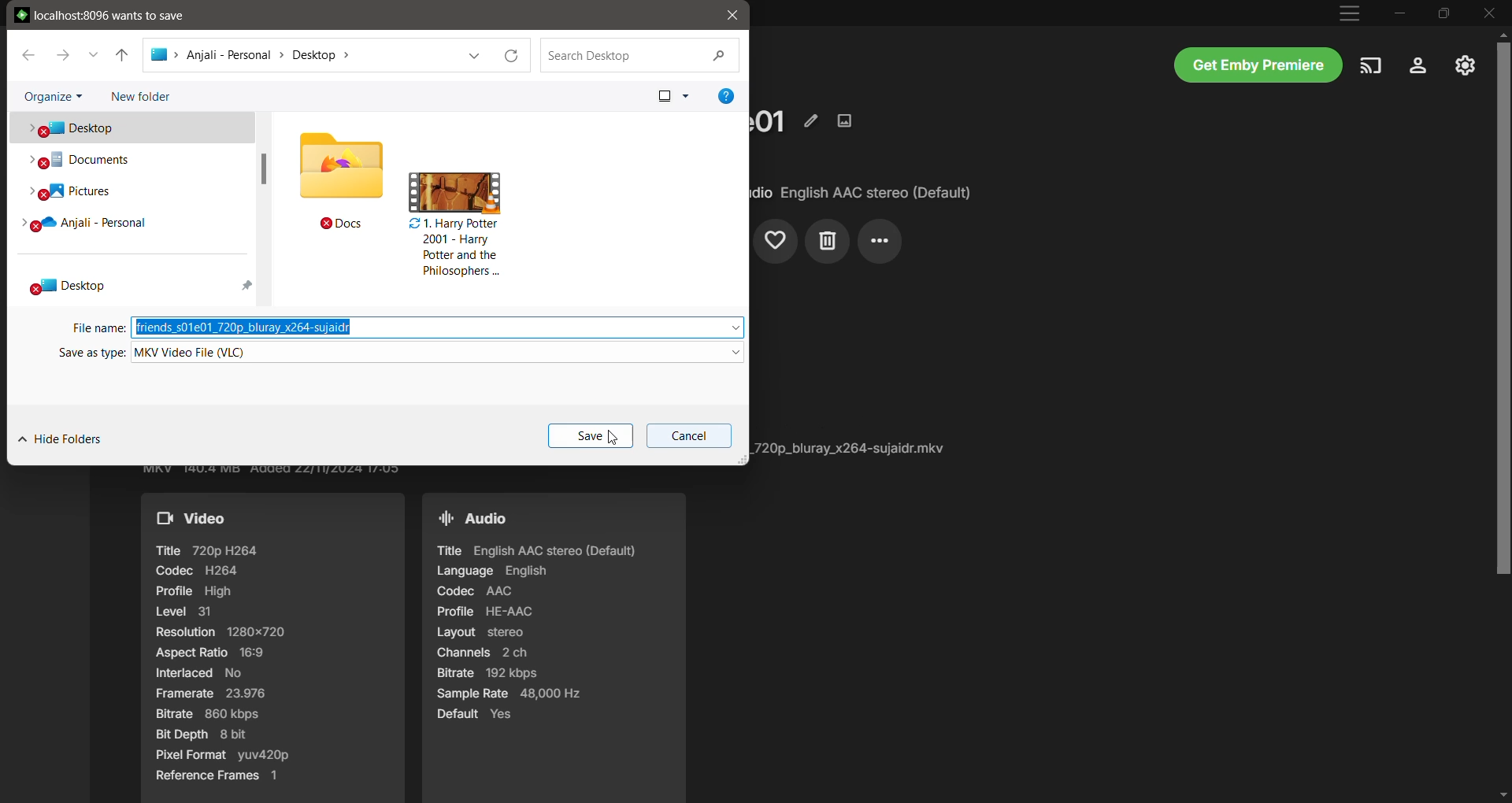  Describe the element at coordinates (455, 225) in the screenshot. I see `Harry Potter 2001 film` at that location.